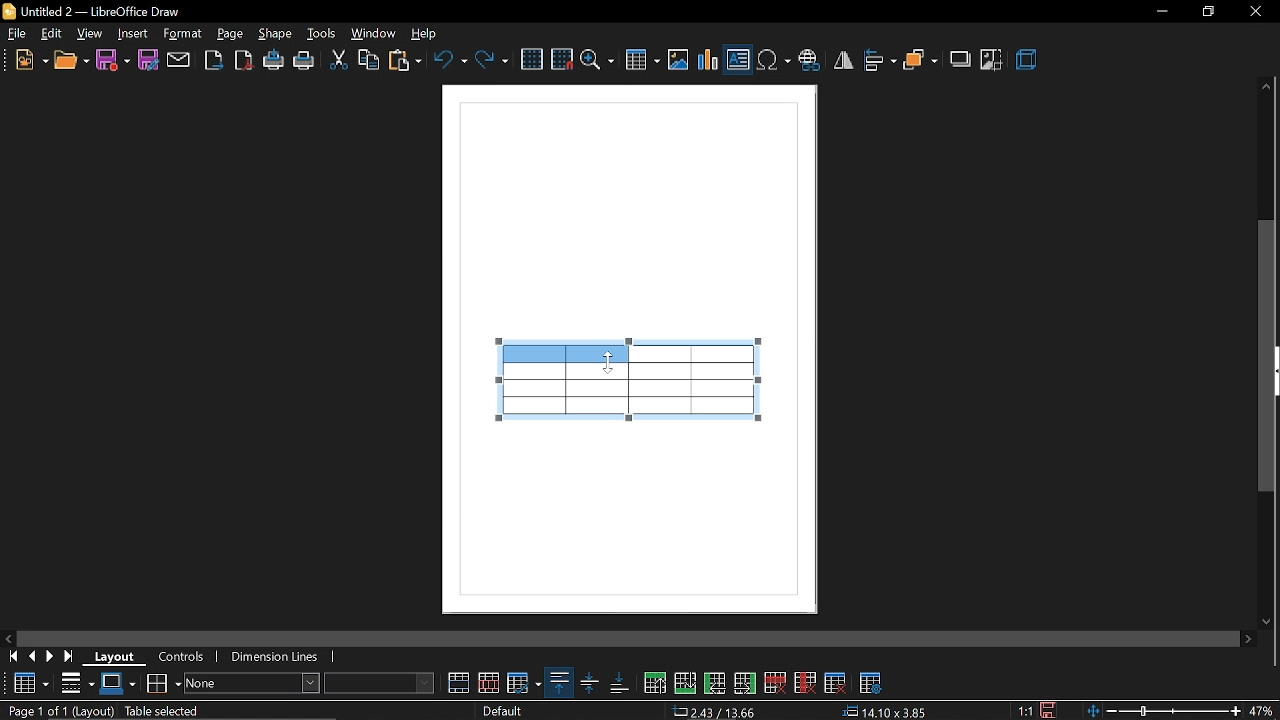 The height and width of the screenshot is (720, 1280). What do you see at coordinates (715, 683) in the screenshot?
I see `insert column before` at bounding box center [715, 683].